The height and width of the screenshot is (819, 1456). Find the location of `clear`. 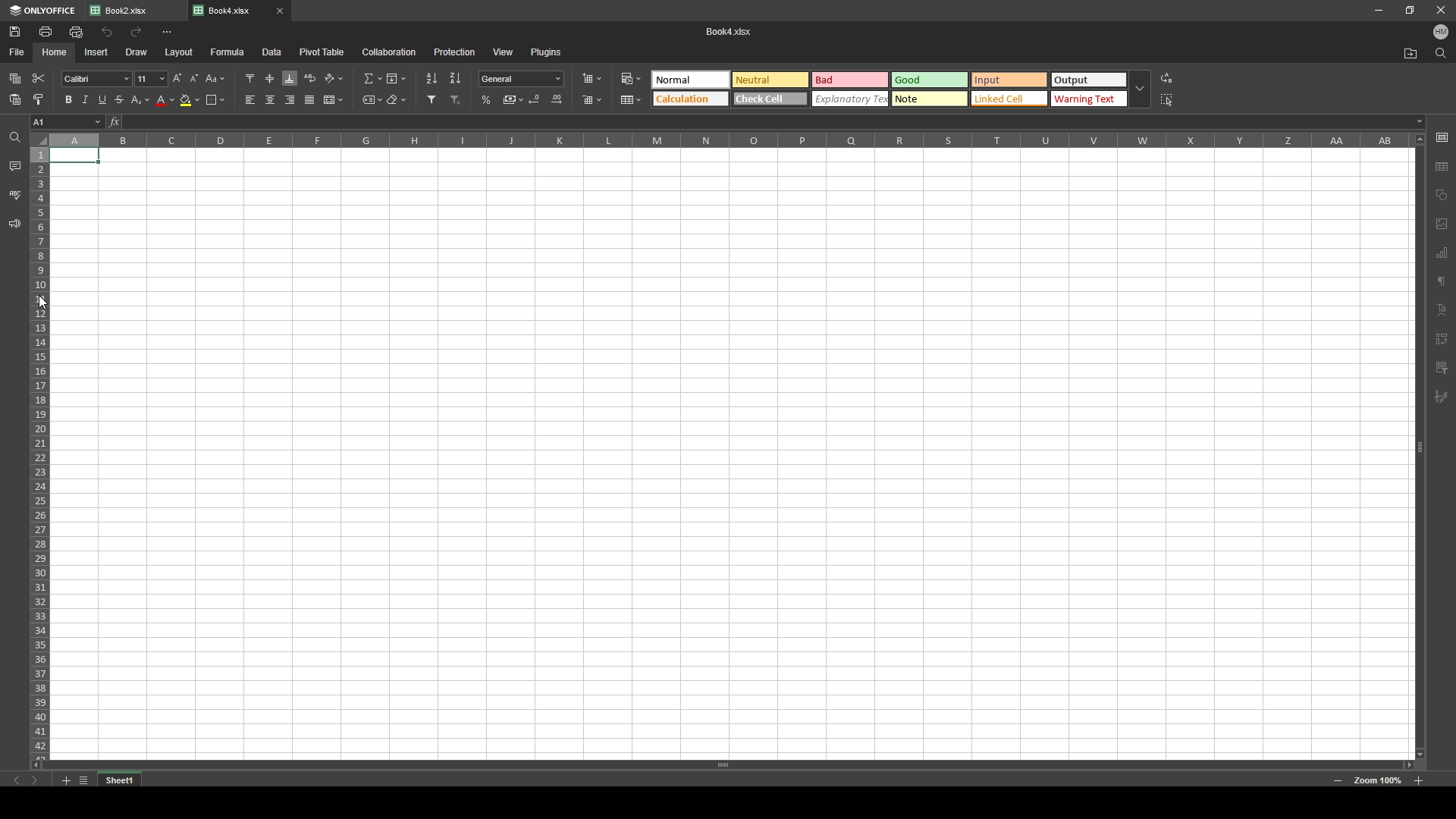

clear is located at coordinates (397, 100).